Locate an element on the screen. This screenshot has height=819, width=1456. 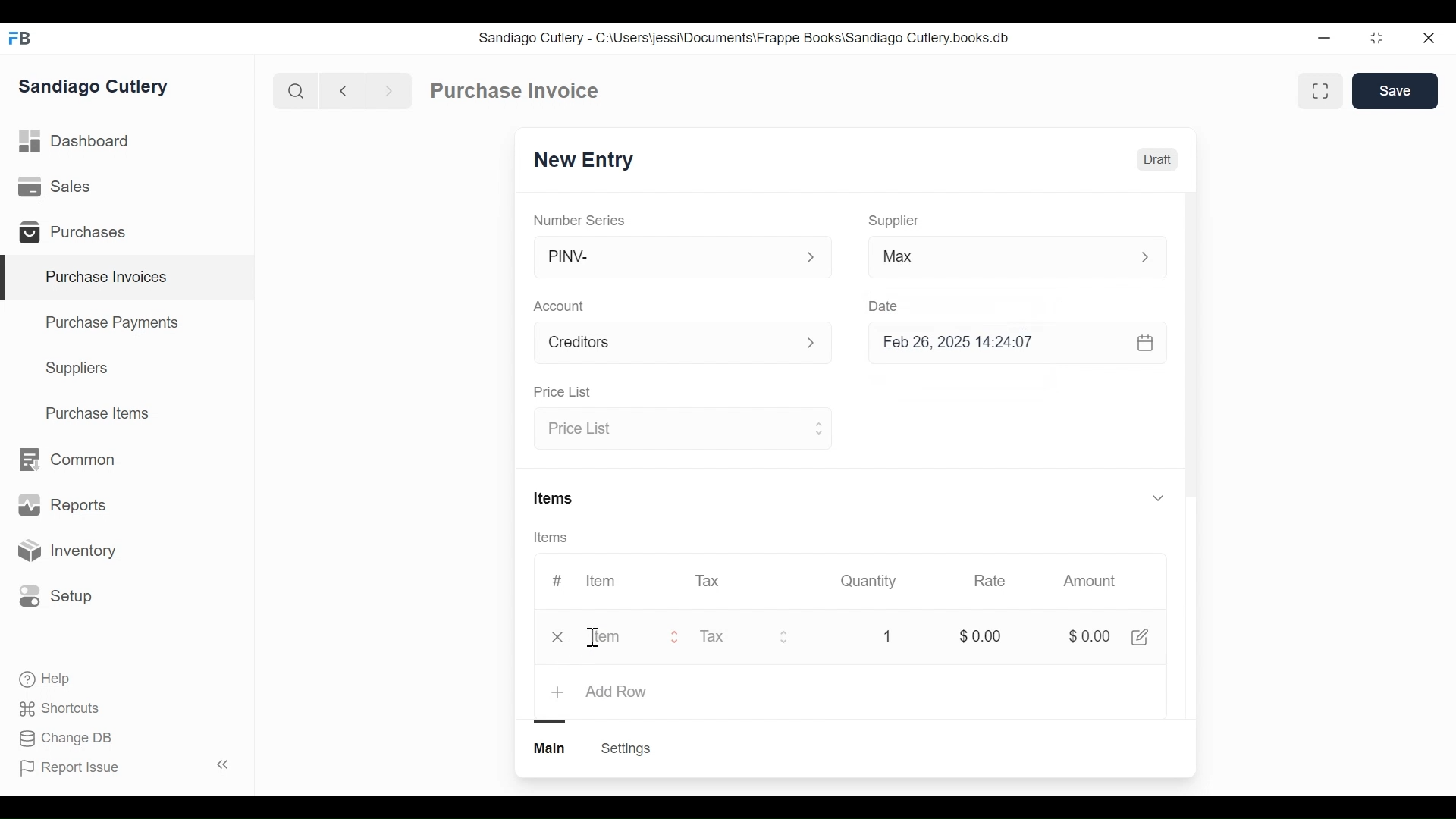
Shortcuts is located at coordinates (61, 708).